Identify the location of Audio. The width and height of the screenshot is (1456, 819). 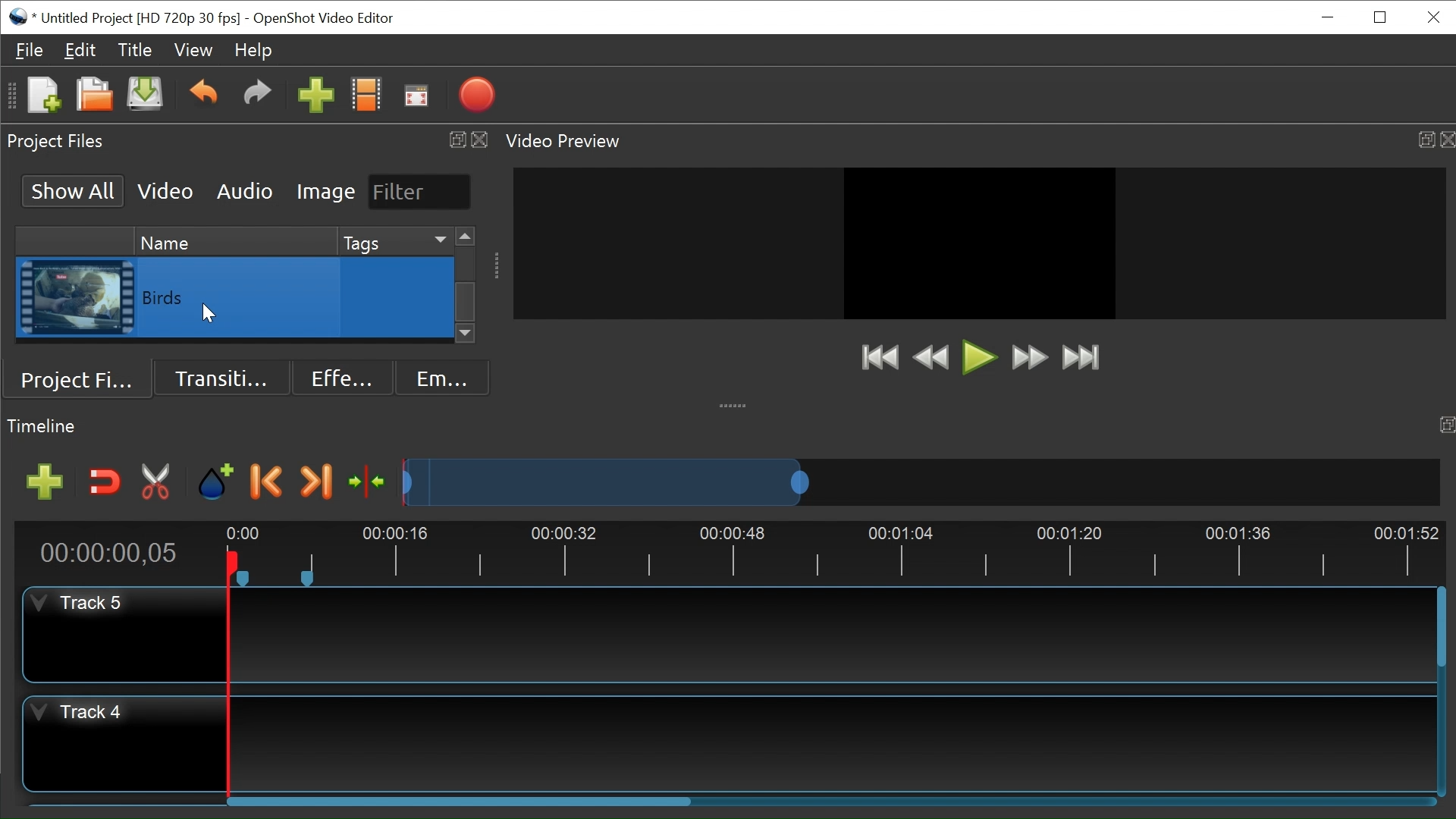
(243, 190).